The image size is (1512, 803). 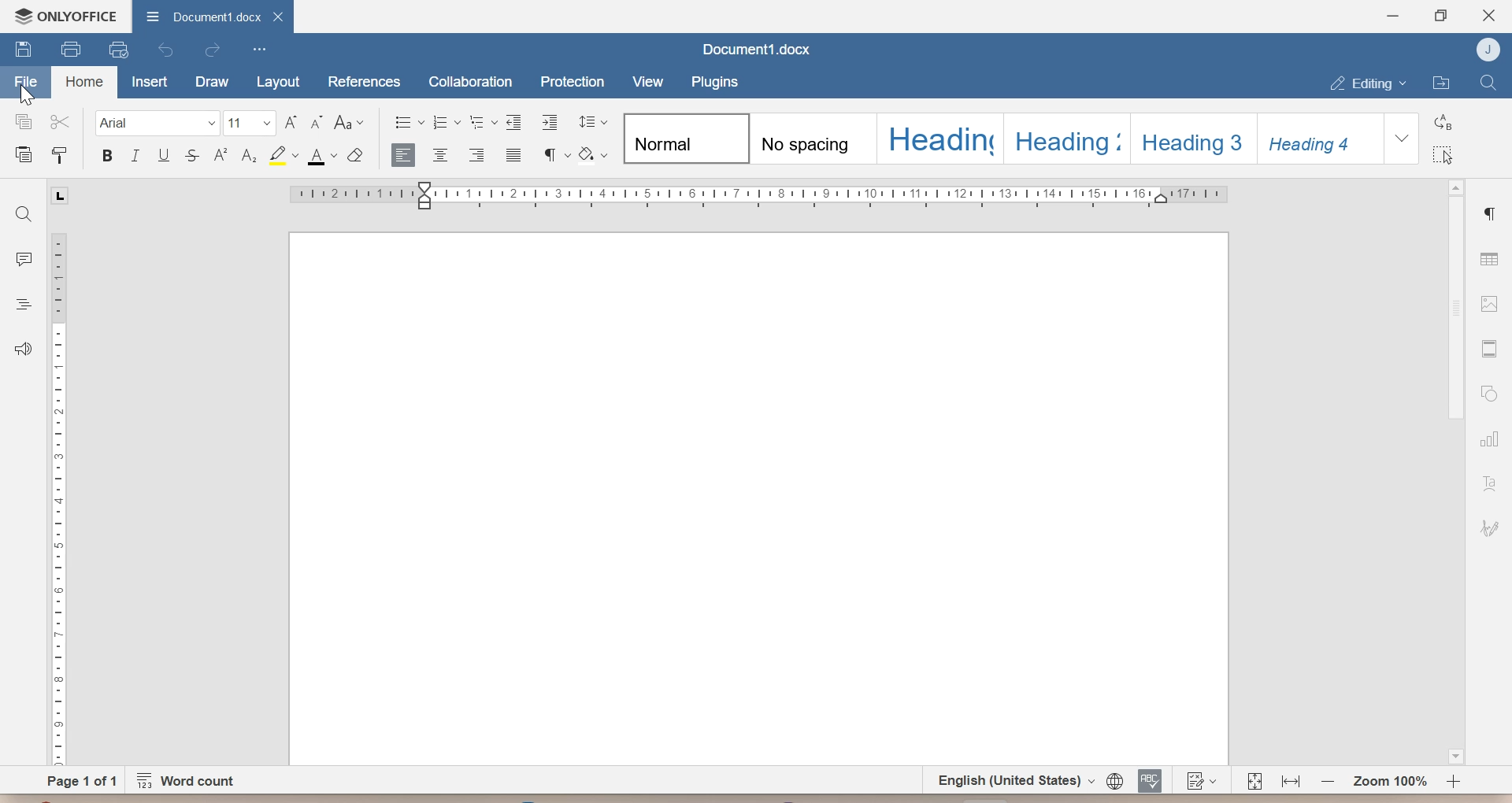 I want to click on File, so click(x=28, y=78).